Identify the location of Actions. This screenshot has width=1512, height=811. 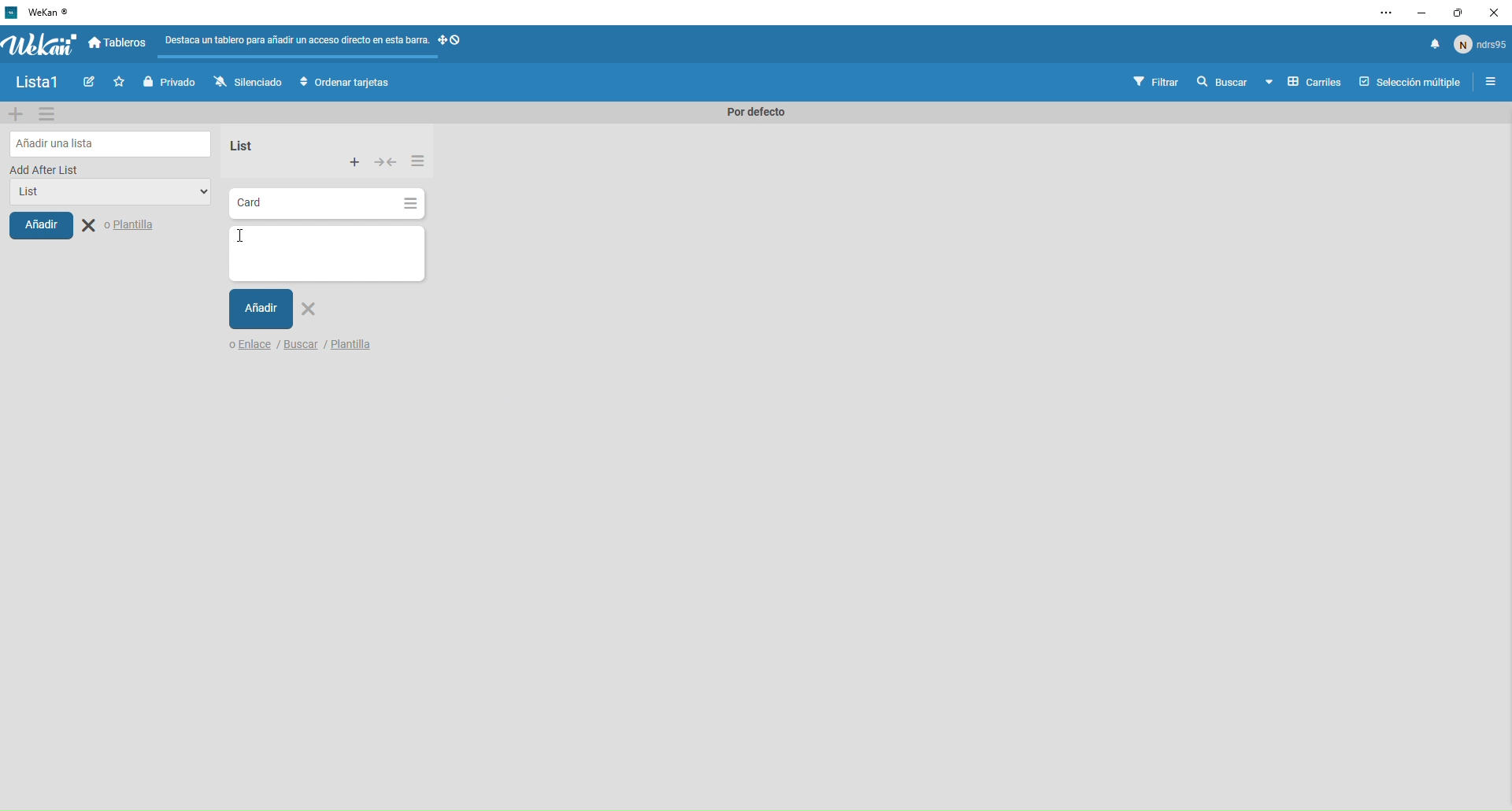
(387, 164).